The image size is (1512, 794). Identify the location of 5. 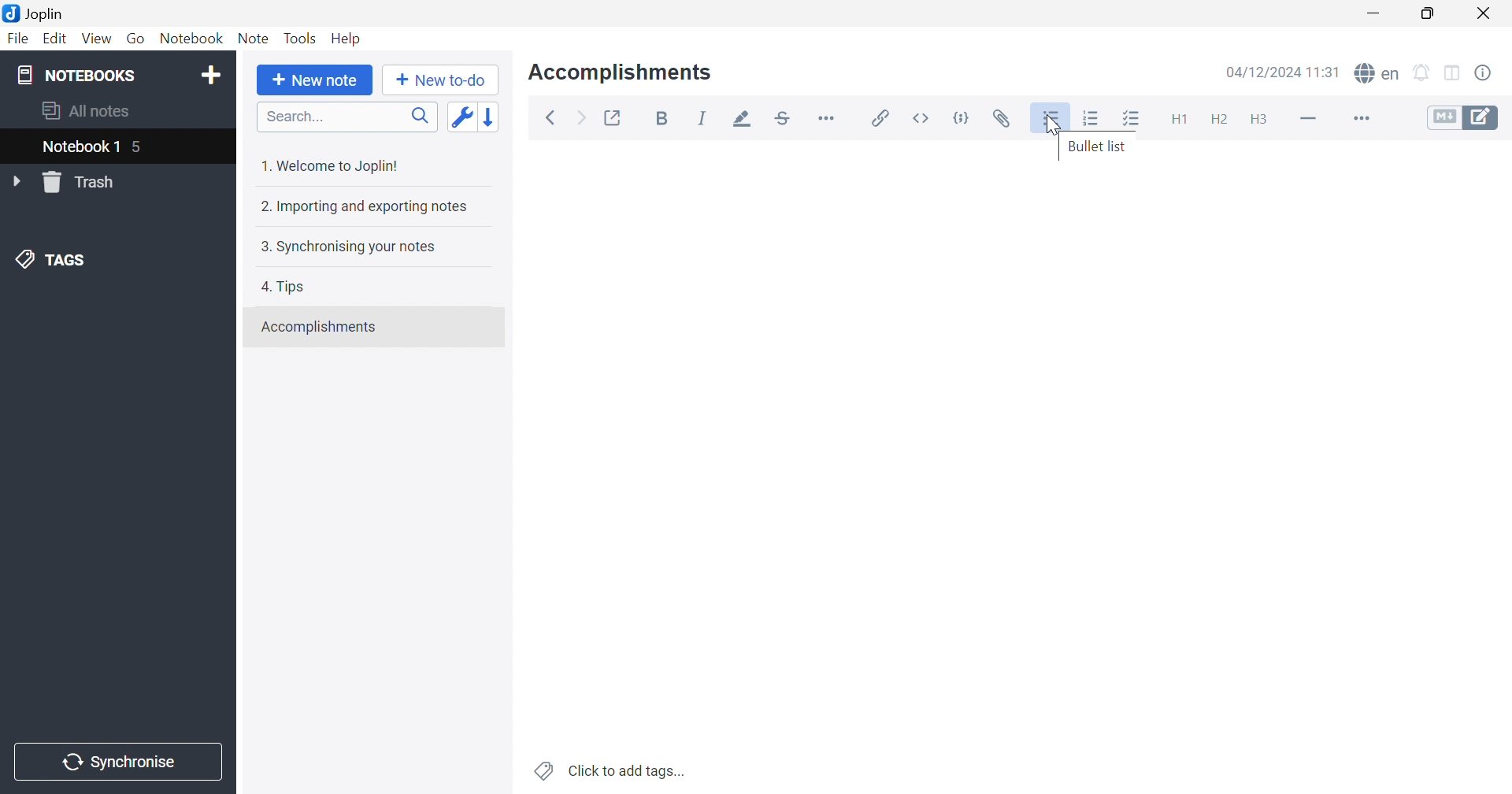
(140, 148).